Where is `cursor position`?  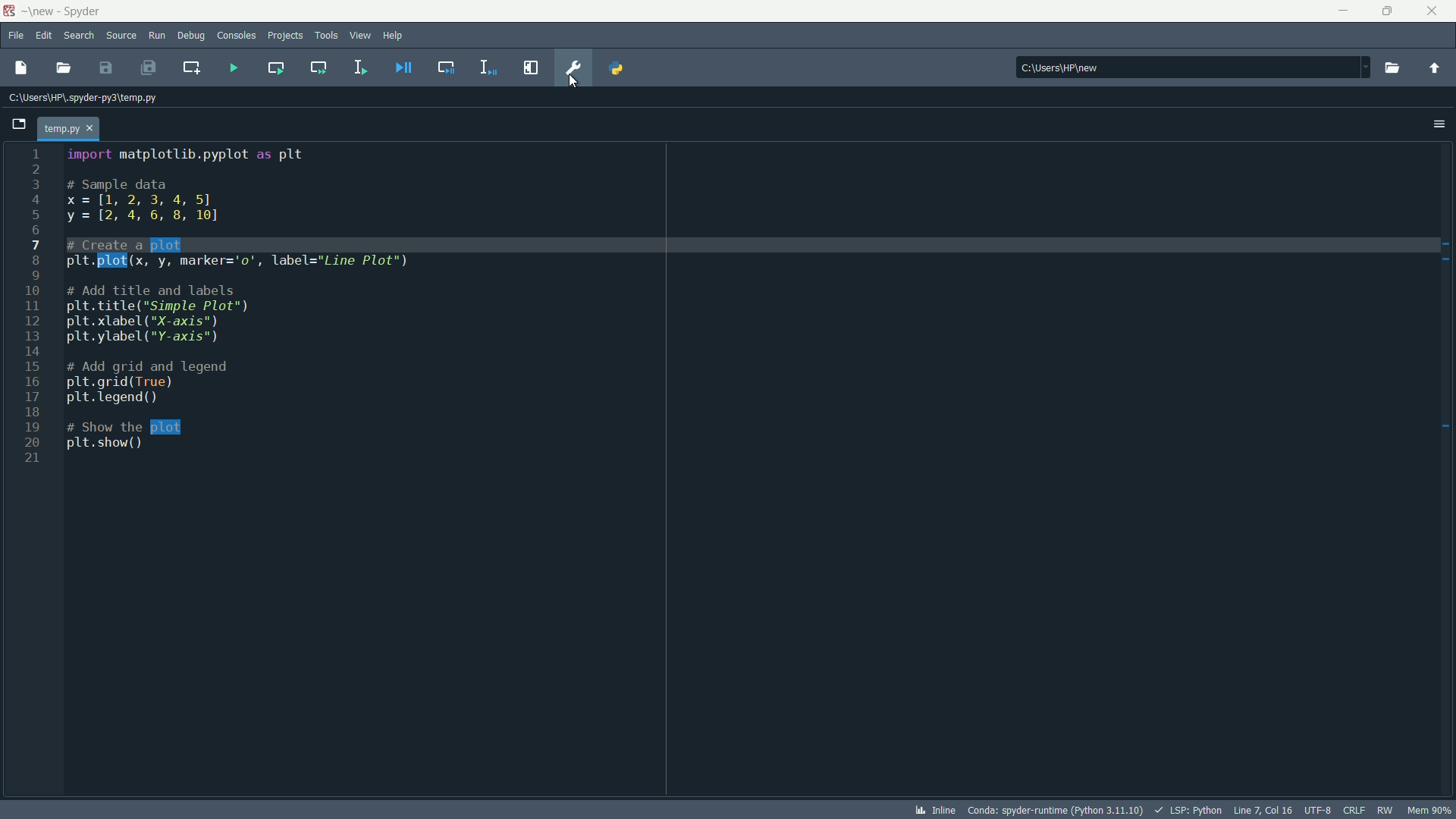 cursor position is located at coordinates (1264, 810).